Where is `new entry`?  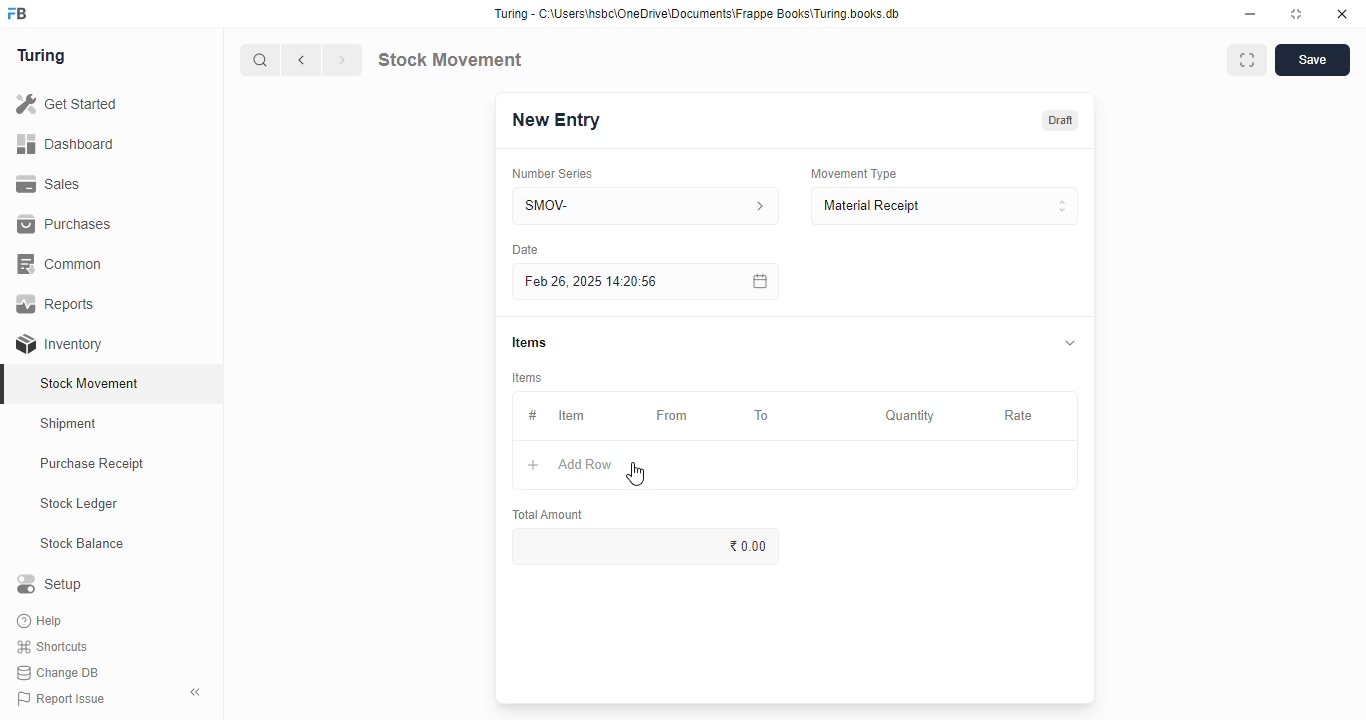
new entry is located at coordinates (555, 120).